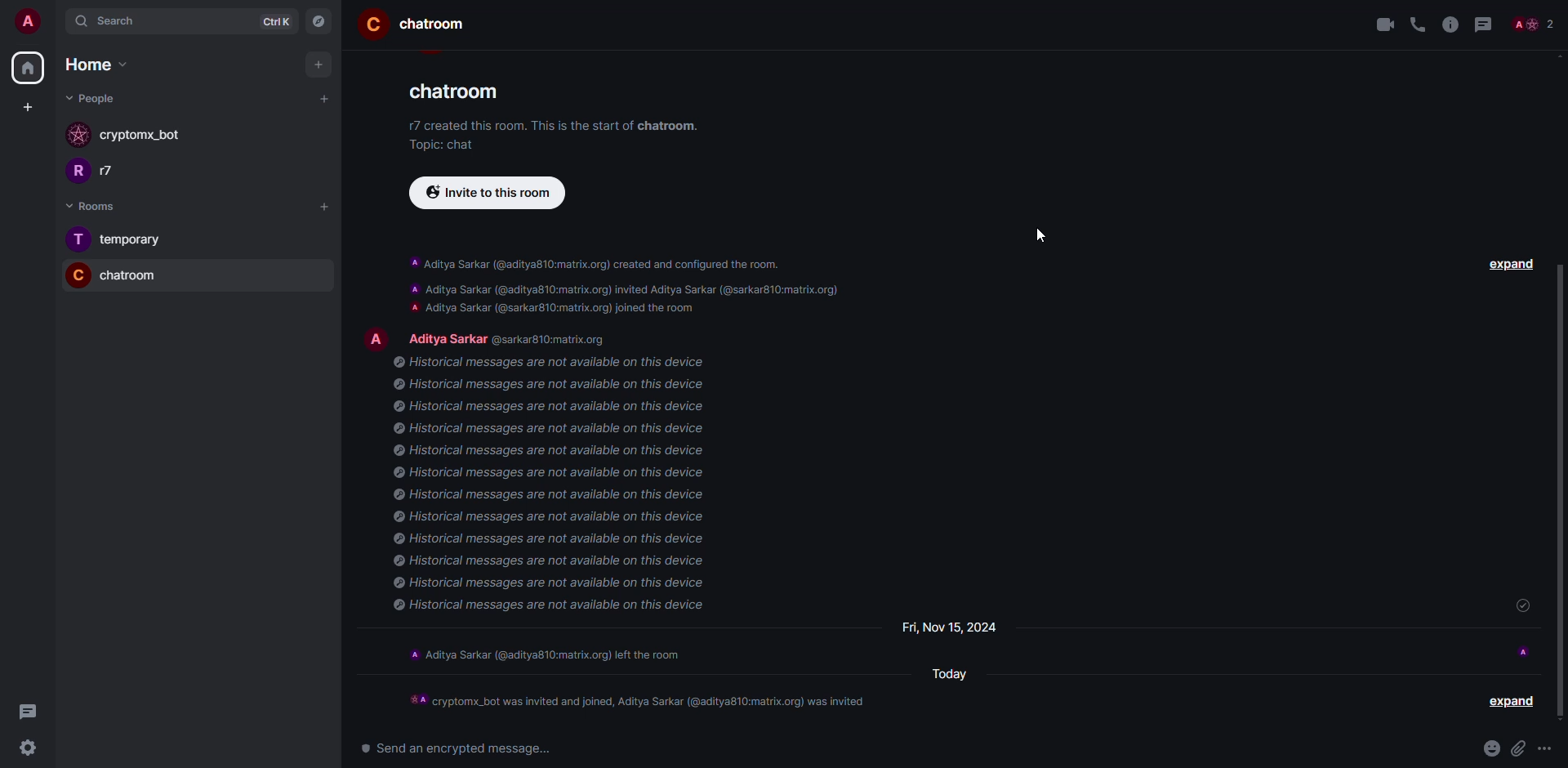  I want to click on bot, so click(144, 136).